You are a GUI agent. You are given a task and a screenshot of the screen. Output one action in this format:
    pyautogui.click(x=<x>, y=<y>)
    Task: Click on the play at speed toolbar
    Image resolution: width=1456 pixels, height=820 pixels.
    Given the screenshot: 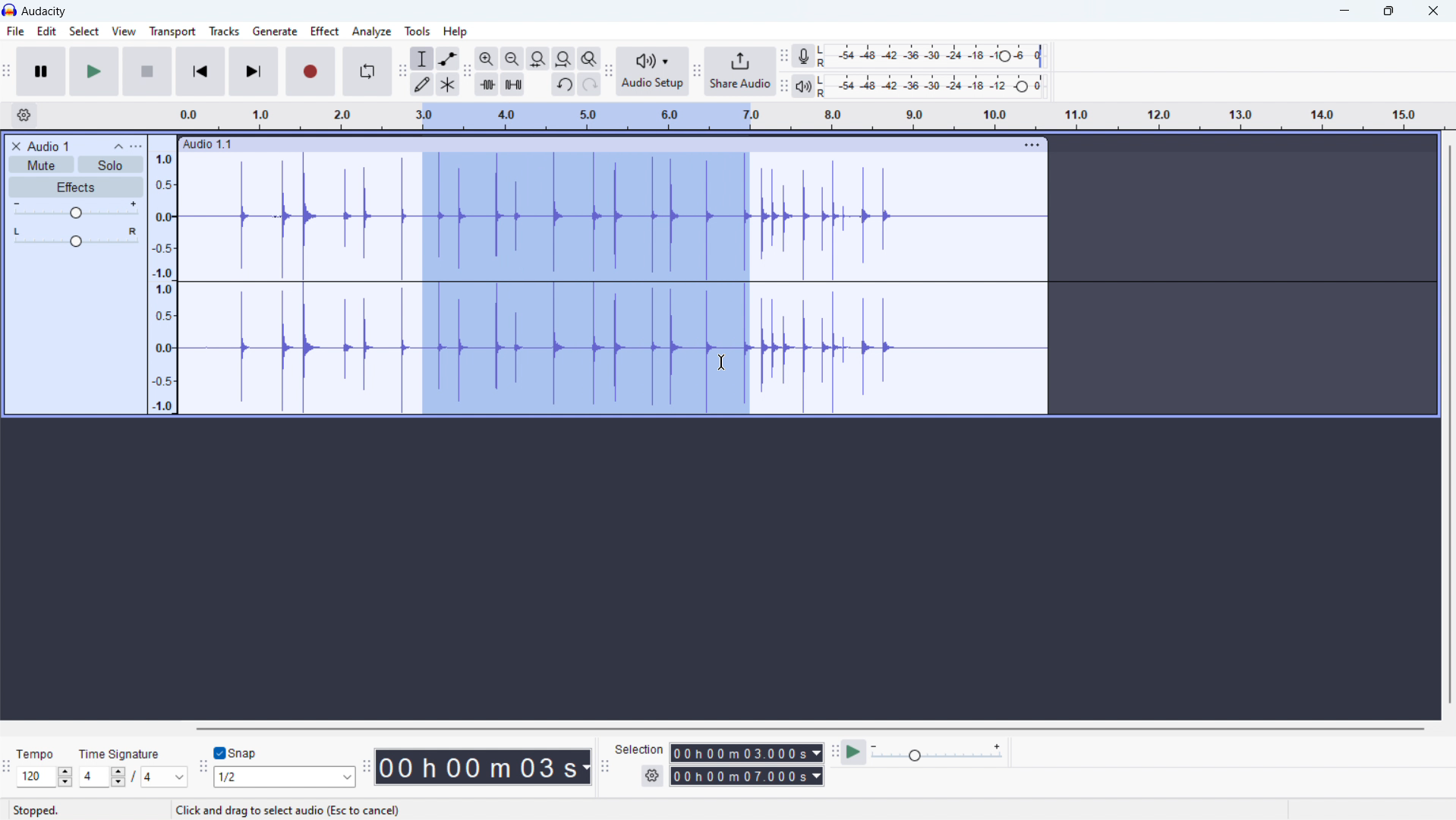 What is the action you would take?
    pyautogui.click(x=834, y=752)
    